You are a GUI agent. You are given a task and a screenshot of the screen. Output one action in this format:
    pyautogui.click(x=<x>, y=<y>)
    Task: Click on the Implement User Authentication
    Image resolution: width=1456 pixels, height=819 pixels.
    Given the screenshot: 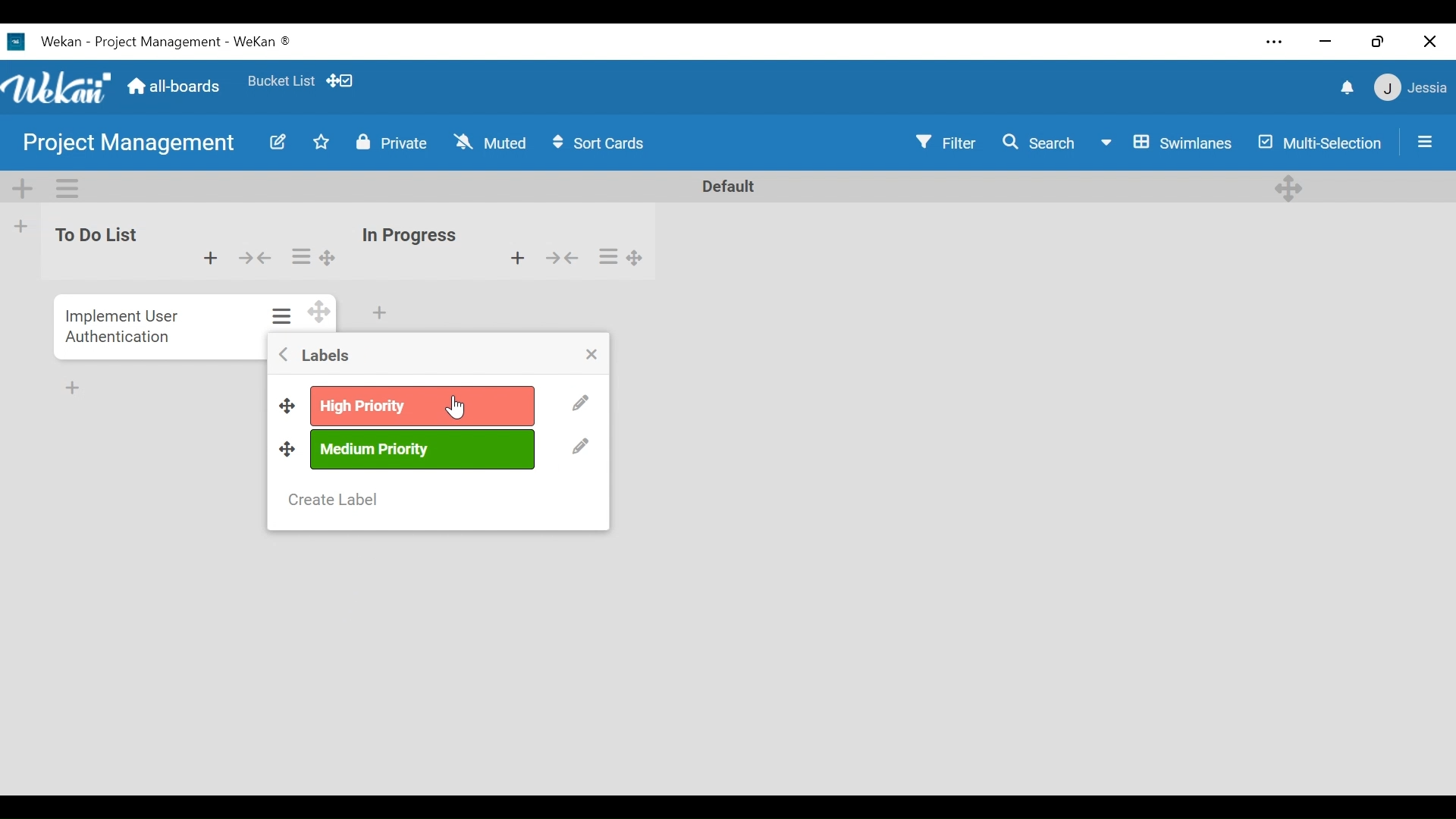 What is the action you would take?
    pyautogui.click(x=124, y=324)
    